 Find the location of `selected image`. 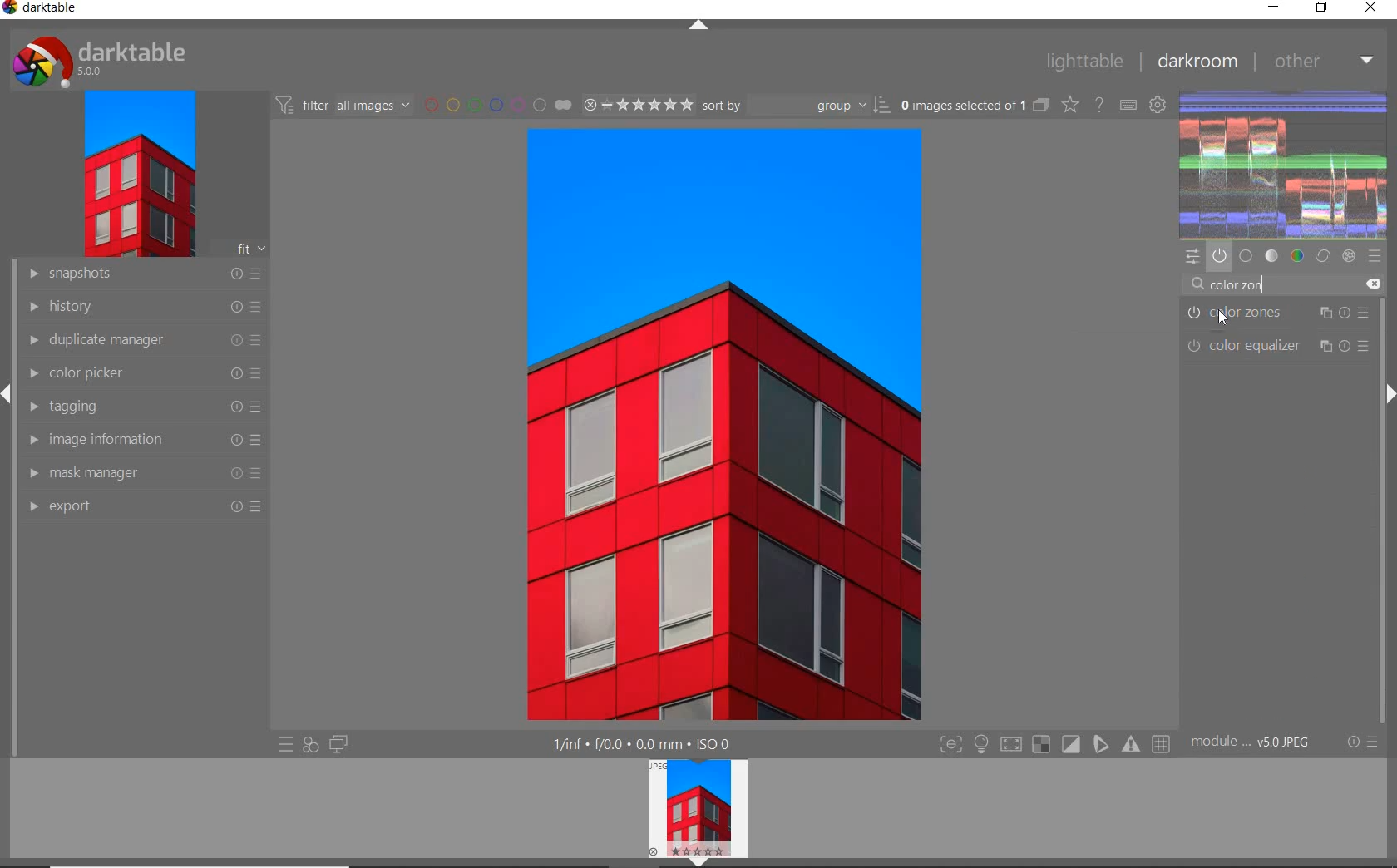

selected image is located at coordinates (724, 426).